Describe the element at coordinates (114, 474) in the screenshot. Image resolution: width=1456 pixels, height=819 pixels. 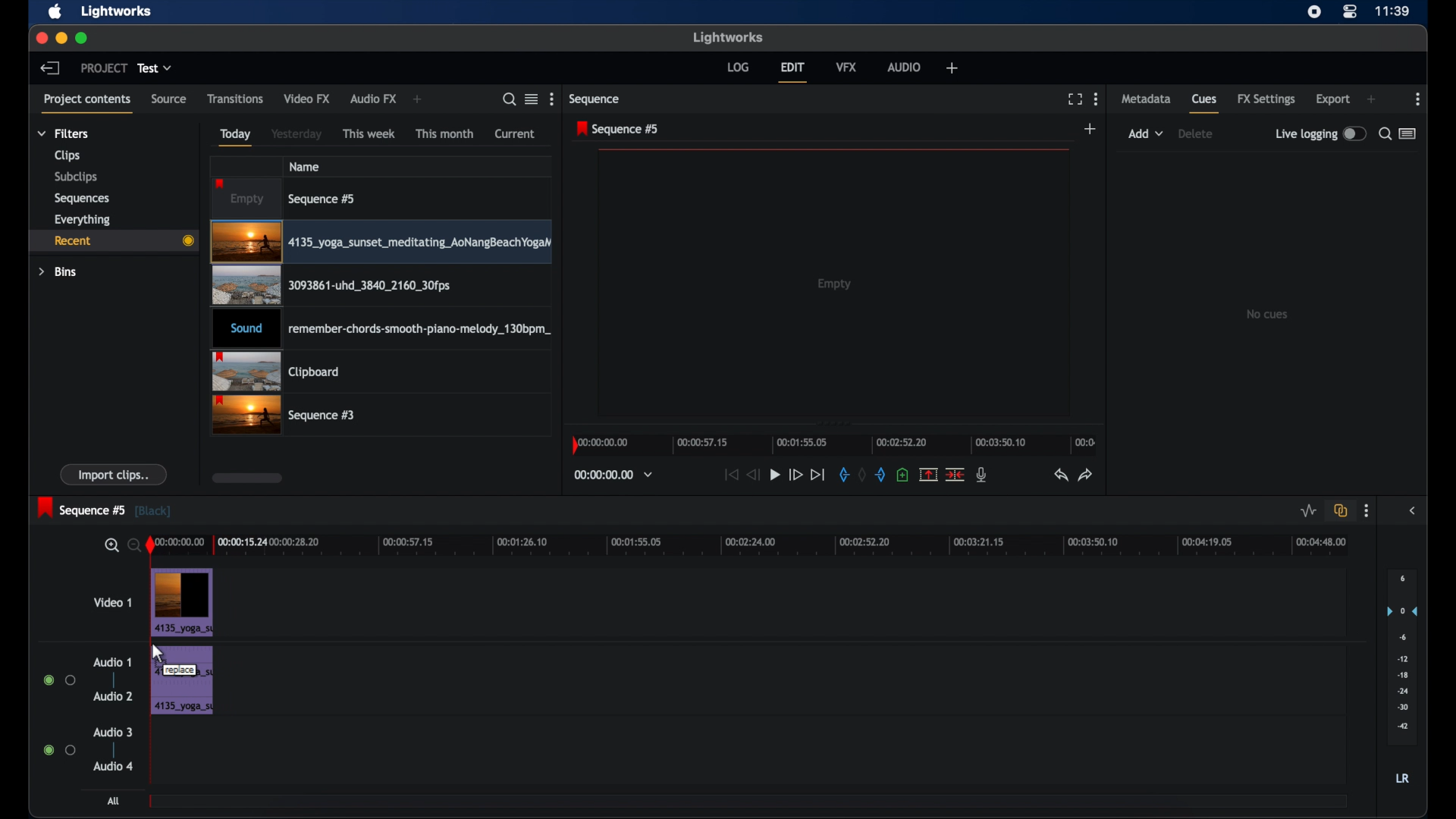
I see `import clips` at that location.